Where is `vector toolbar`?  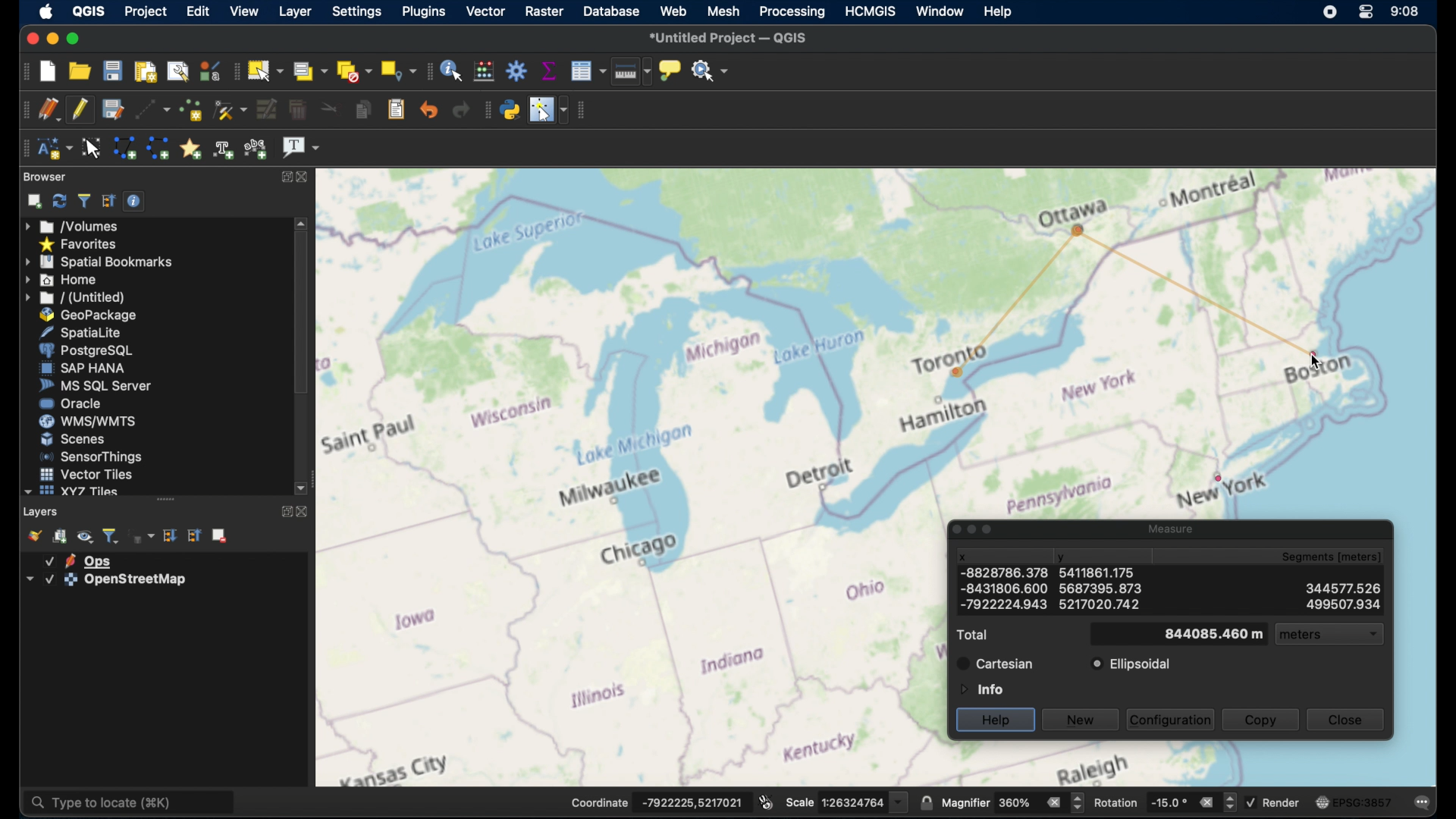
vector toolbar is located at coordinates (584, 111).